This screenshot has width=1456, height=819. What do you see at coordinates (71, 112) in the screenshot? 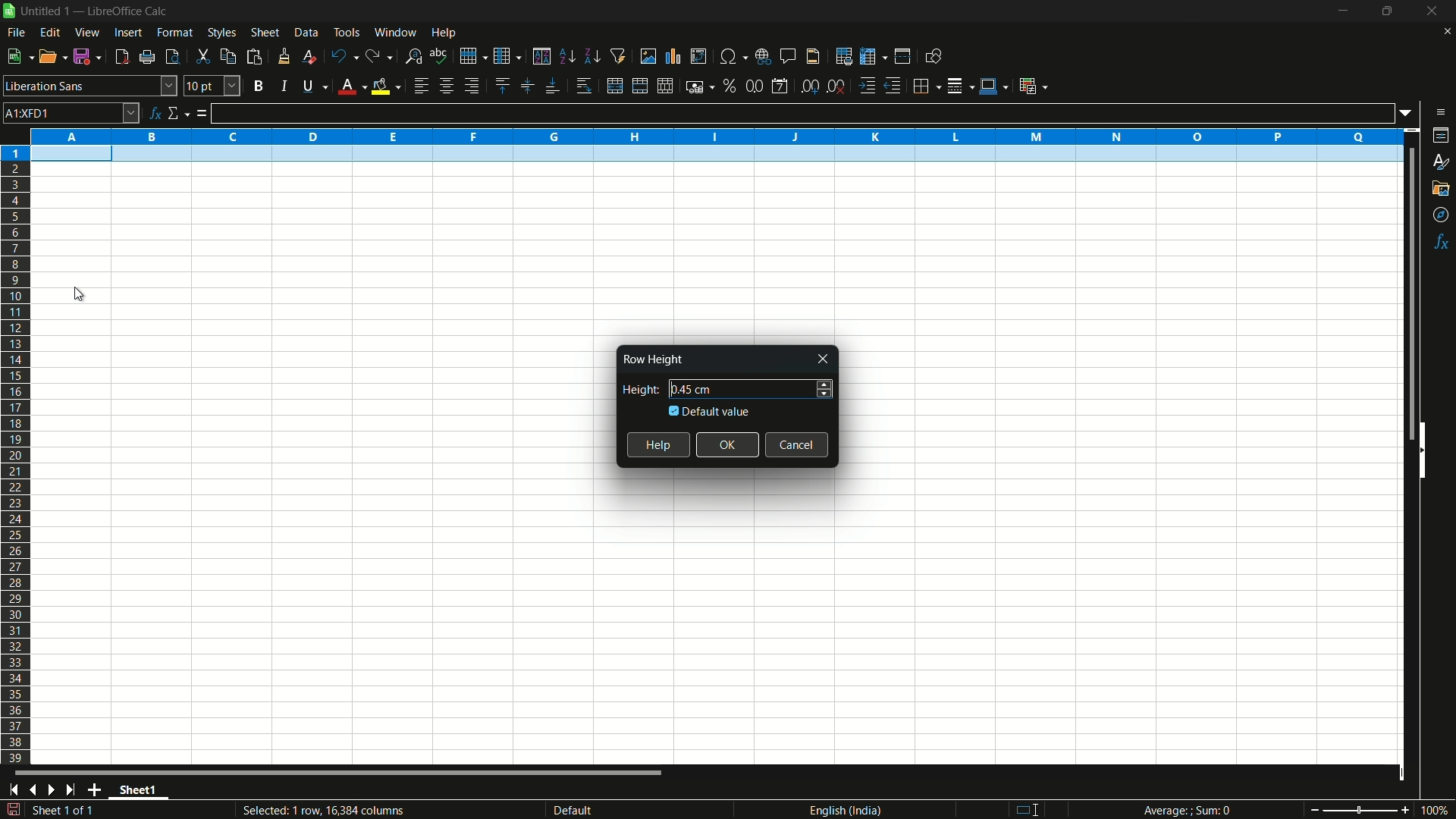
I see `cell name` at bounding box center [71, 112].